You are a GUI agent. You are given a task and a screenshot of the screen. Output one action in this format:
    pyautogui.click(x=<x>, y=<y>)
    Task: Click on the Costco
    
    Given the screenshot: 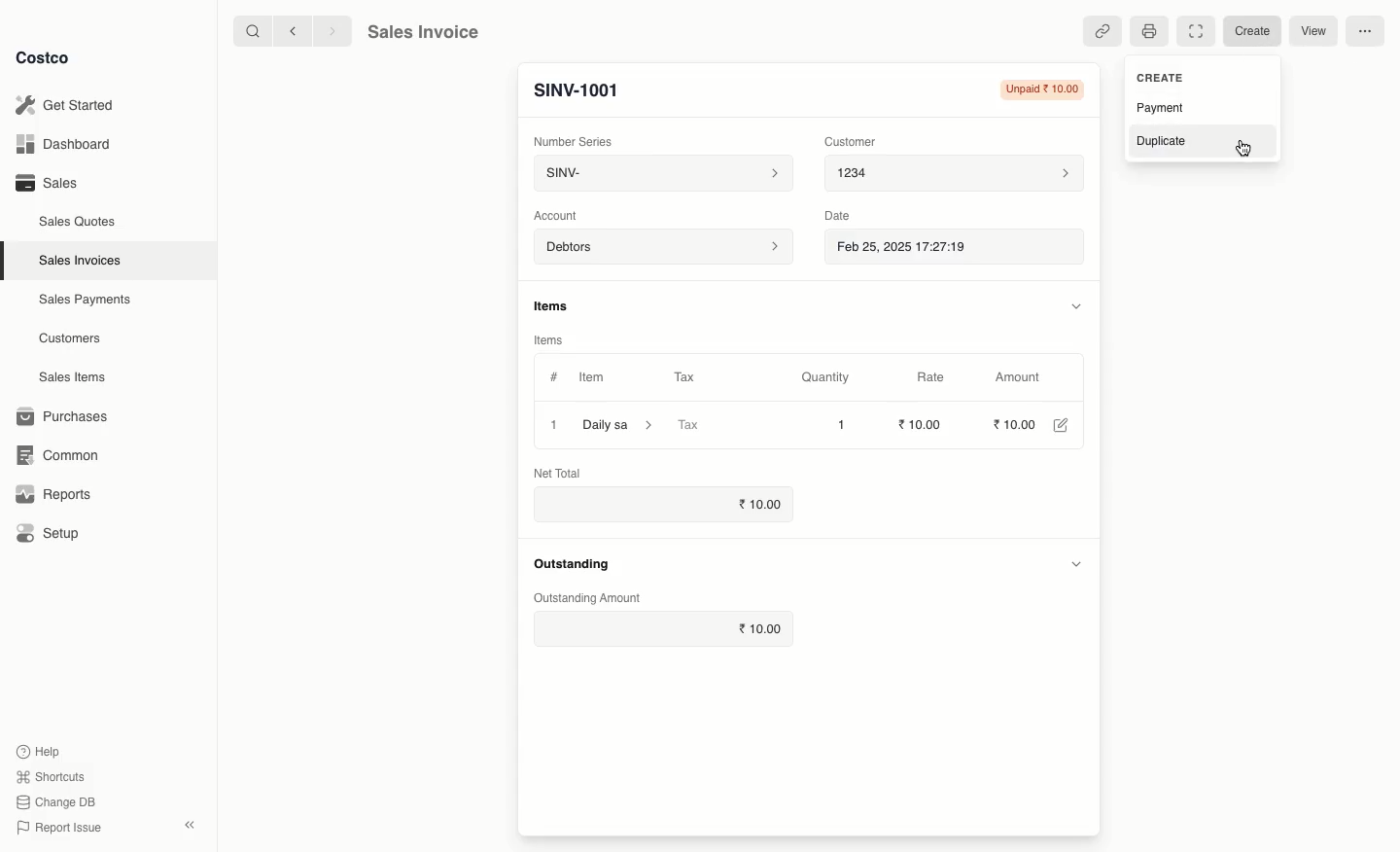 What is the action you would take?
    pyautogui.click(x=45, y=57)
    